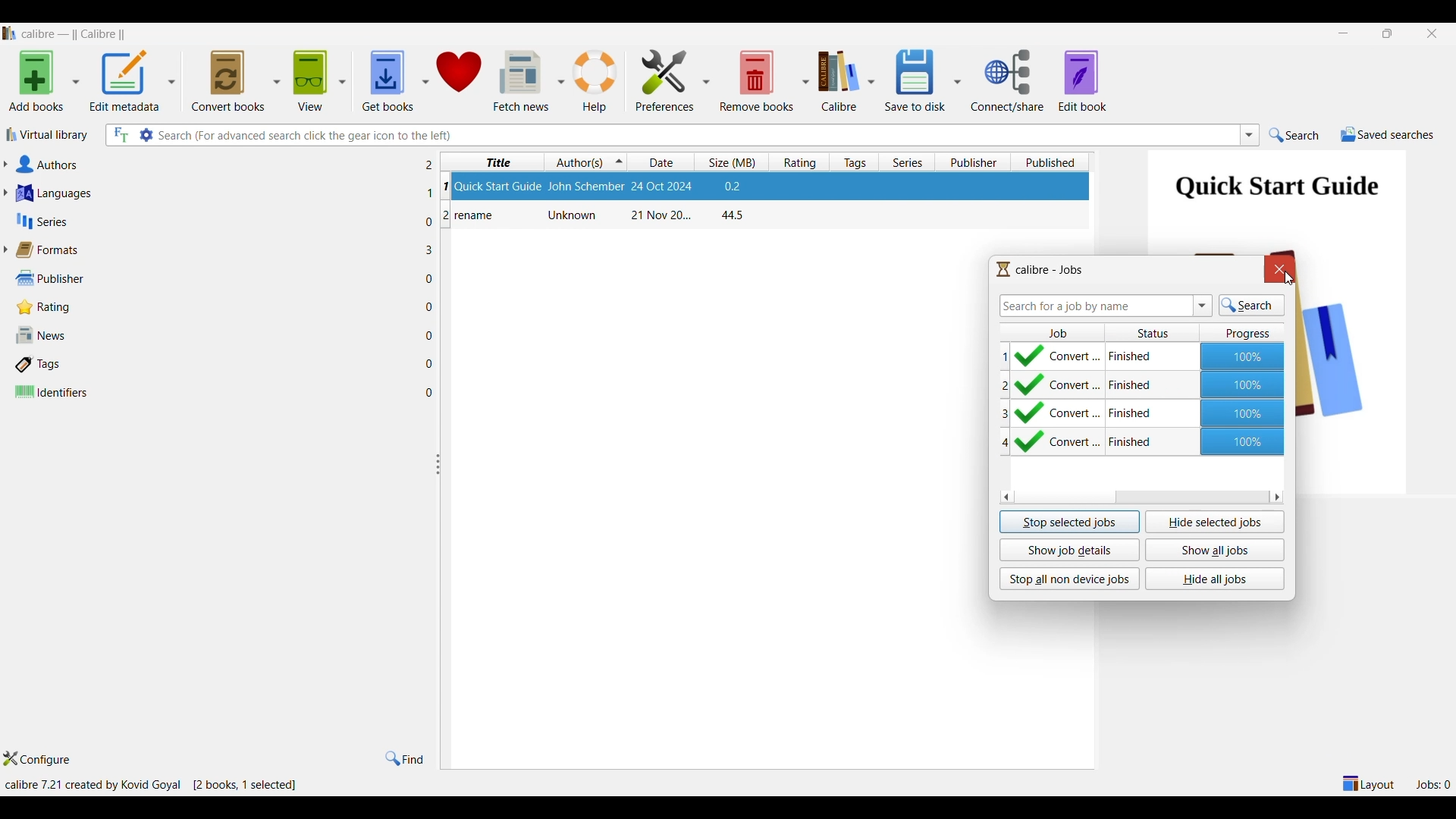 This screenshot has height=819, width=1456. What do you see at coordinates (733, 162) in the screenshot?
I see `Size column` at bounding box center [733, 162].